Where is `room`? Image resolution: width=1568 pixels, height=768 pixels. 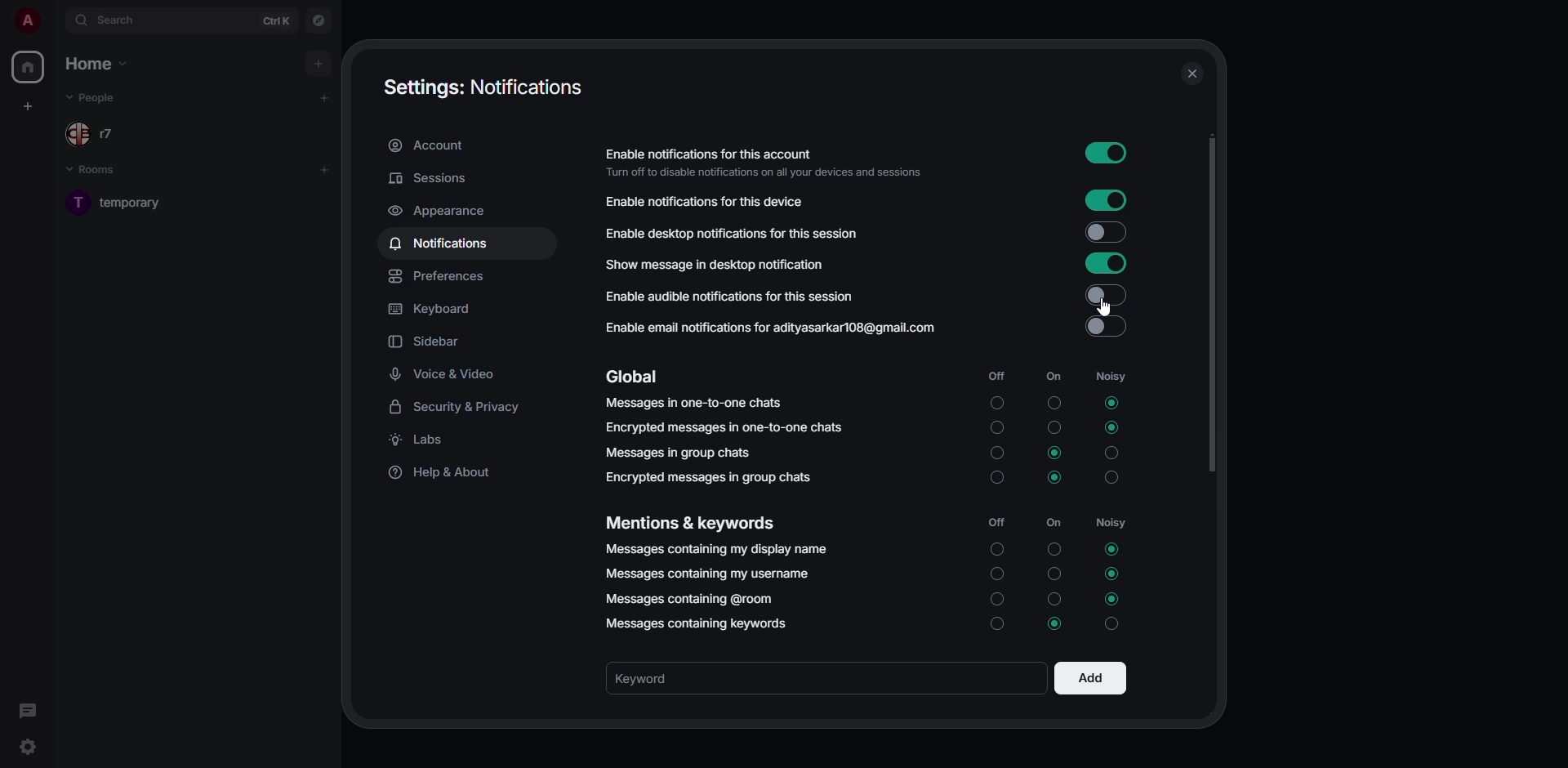 room is located at coordinates (129, 202).